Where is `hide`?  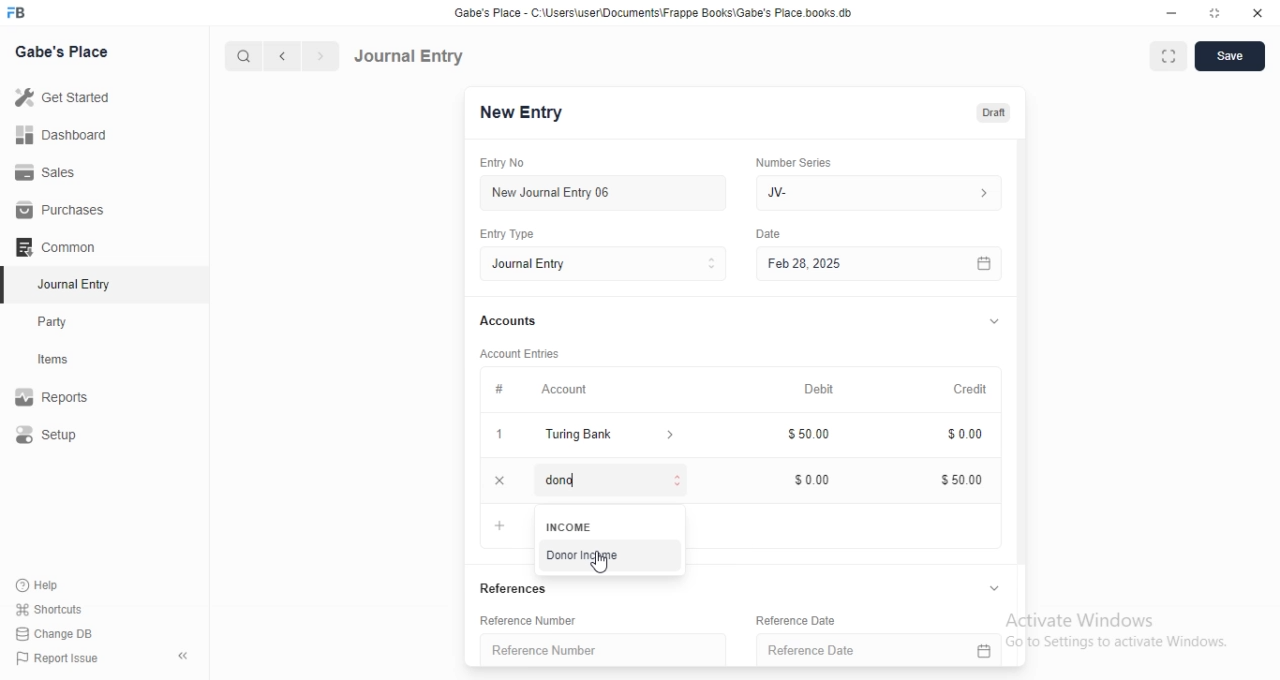 hide is located at coordinates (179, 657).